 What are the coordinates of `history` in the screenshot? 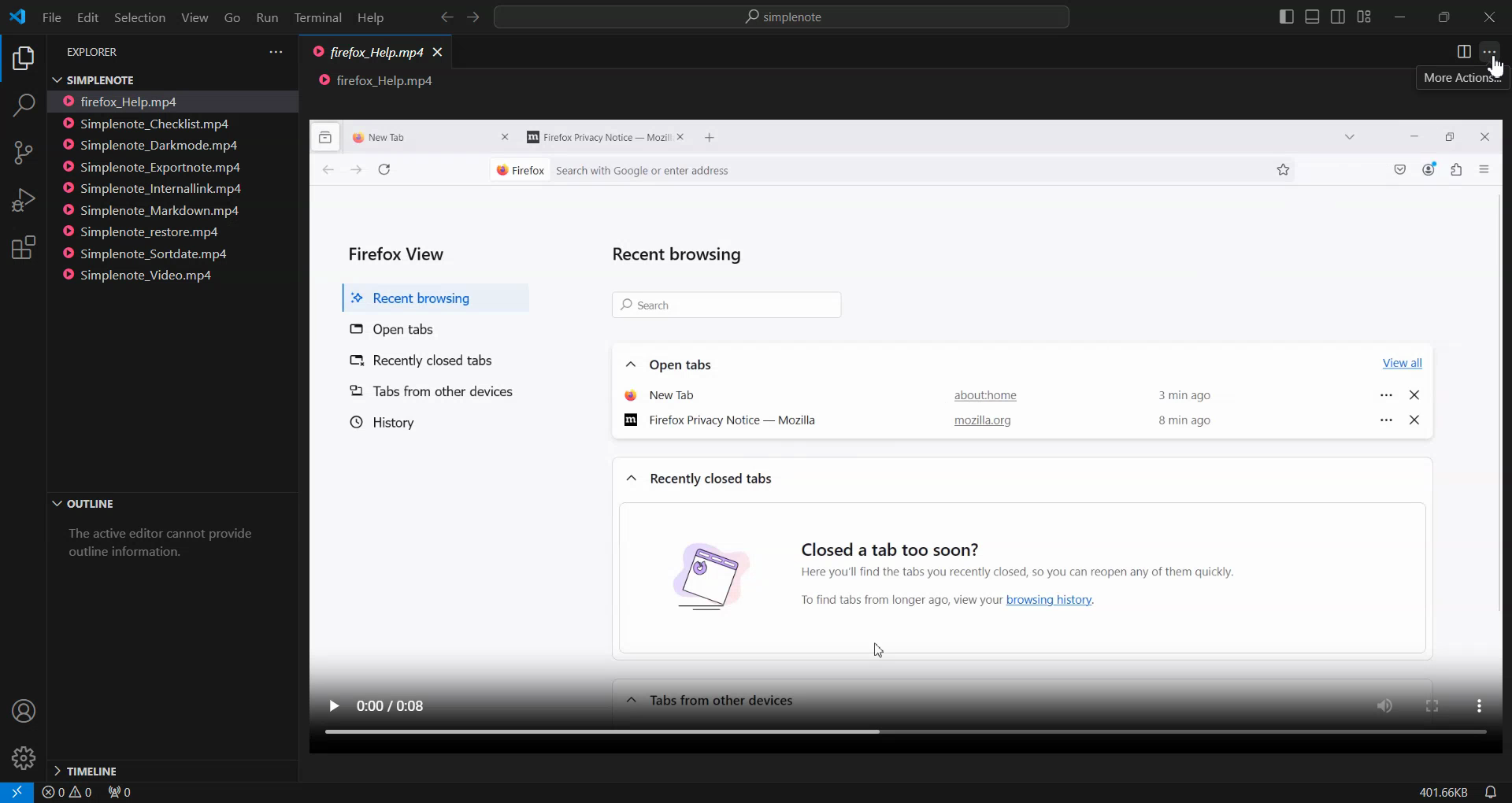 It's located at (380, 422).